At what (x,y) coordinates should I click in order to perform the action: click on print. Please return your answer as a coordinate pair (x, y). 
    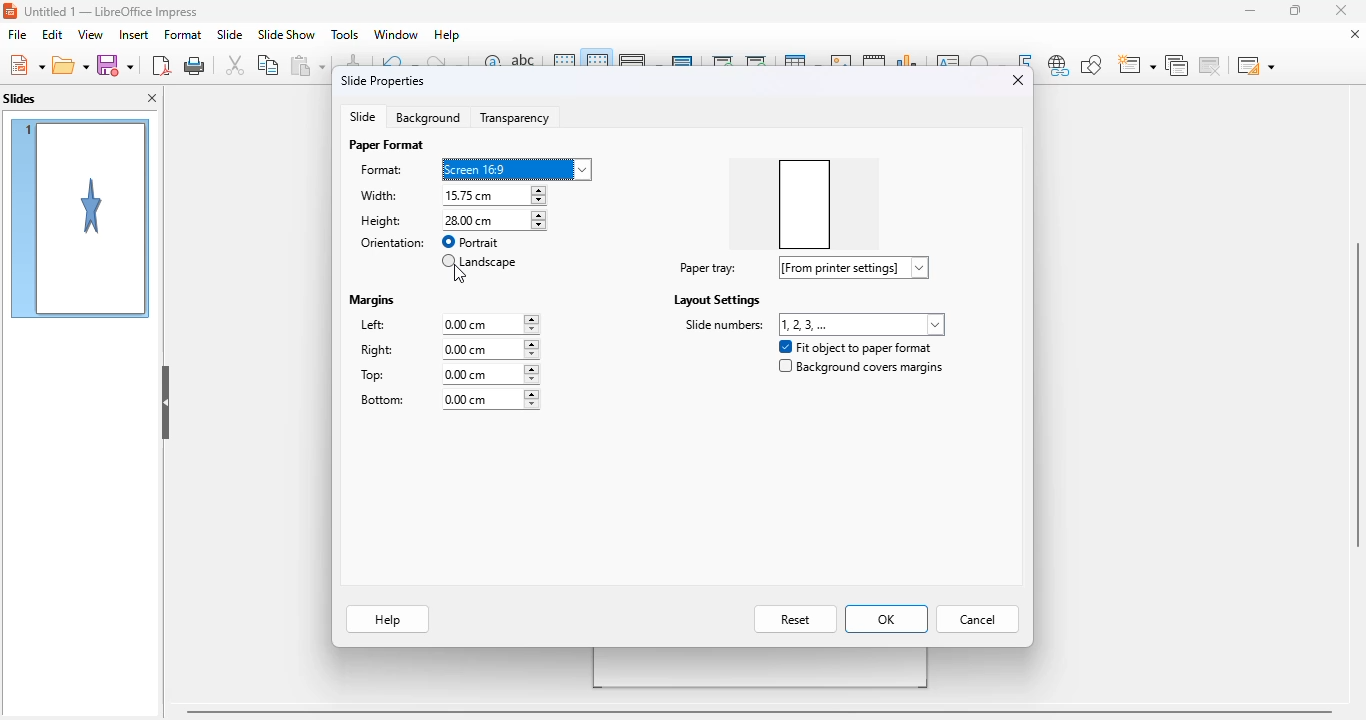
    Looking at the image, I should click on (196, 64).